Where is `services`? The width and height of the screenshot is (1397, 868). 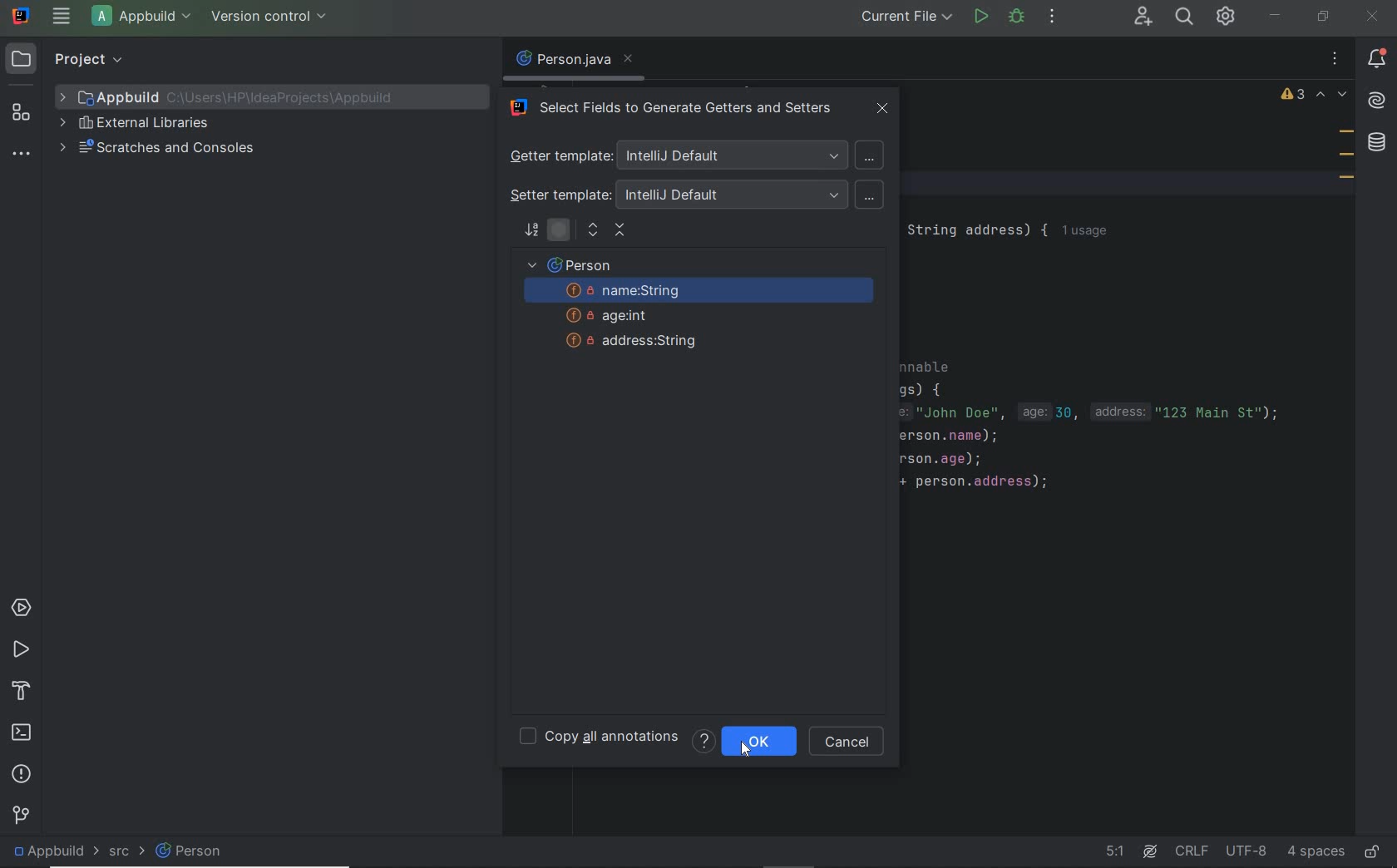 services is located at coordinates (22, 607).